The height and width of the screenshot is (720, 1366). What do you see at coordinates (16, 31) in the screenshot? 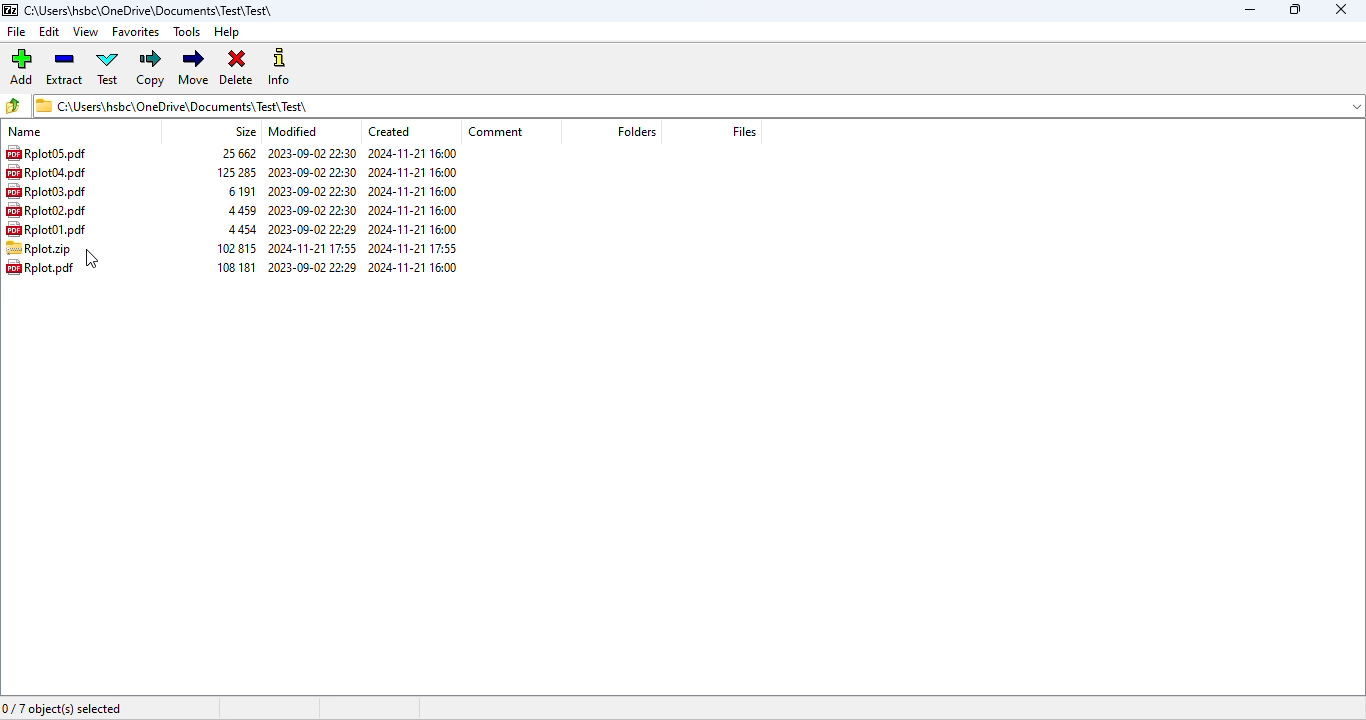
I see `file` at bounding box center [16, 31].